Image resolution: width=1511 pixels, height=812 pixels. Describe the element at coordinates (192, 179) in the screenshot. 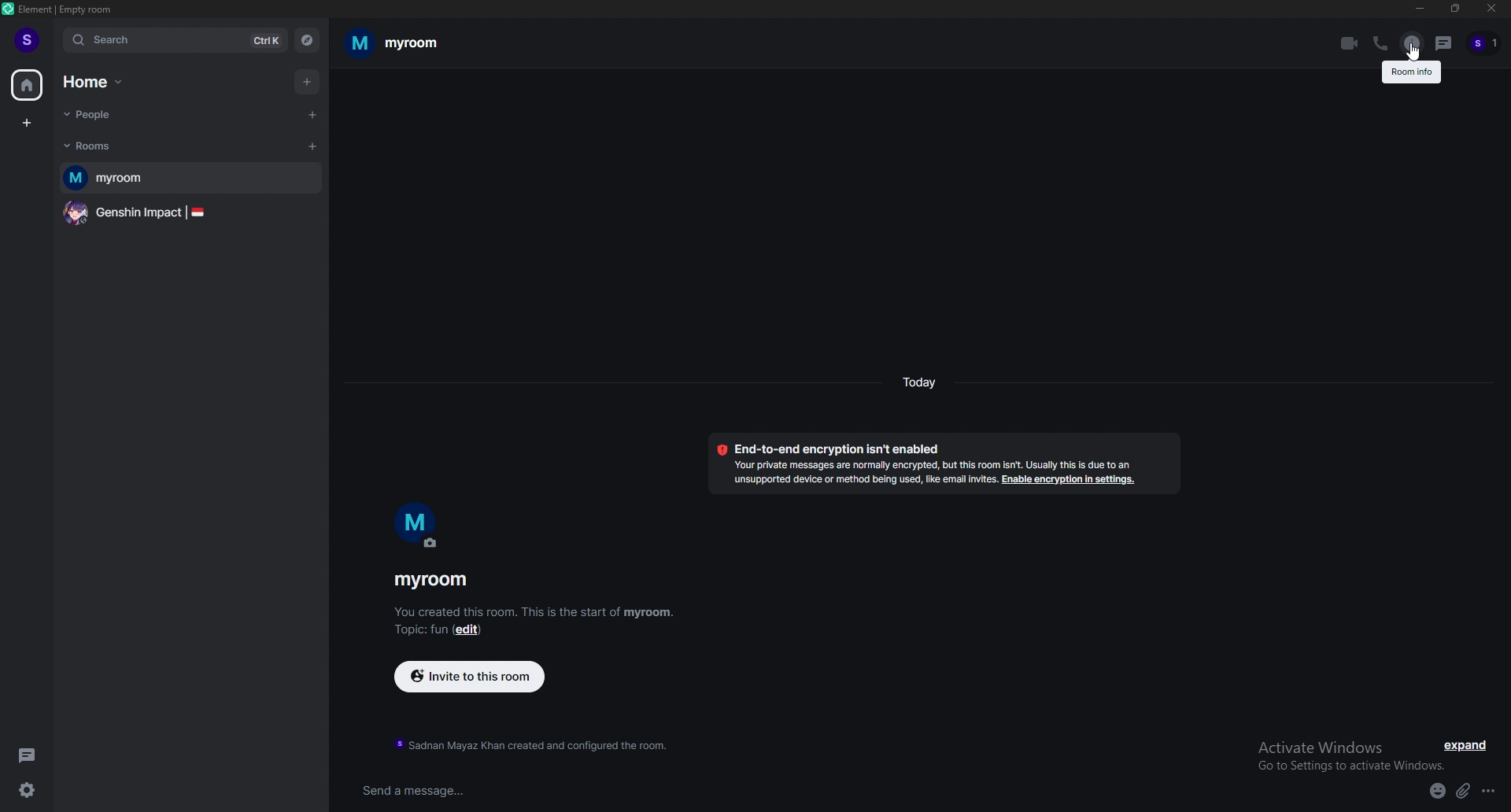

I see `myroom` at that location.